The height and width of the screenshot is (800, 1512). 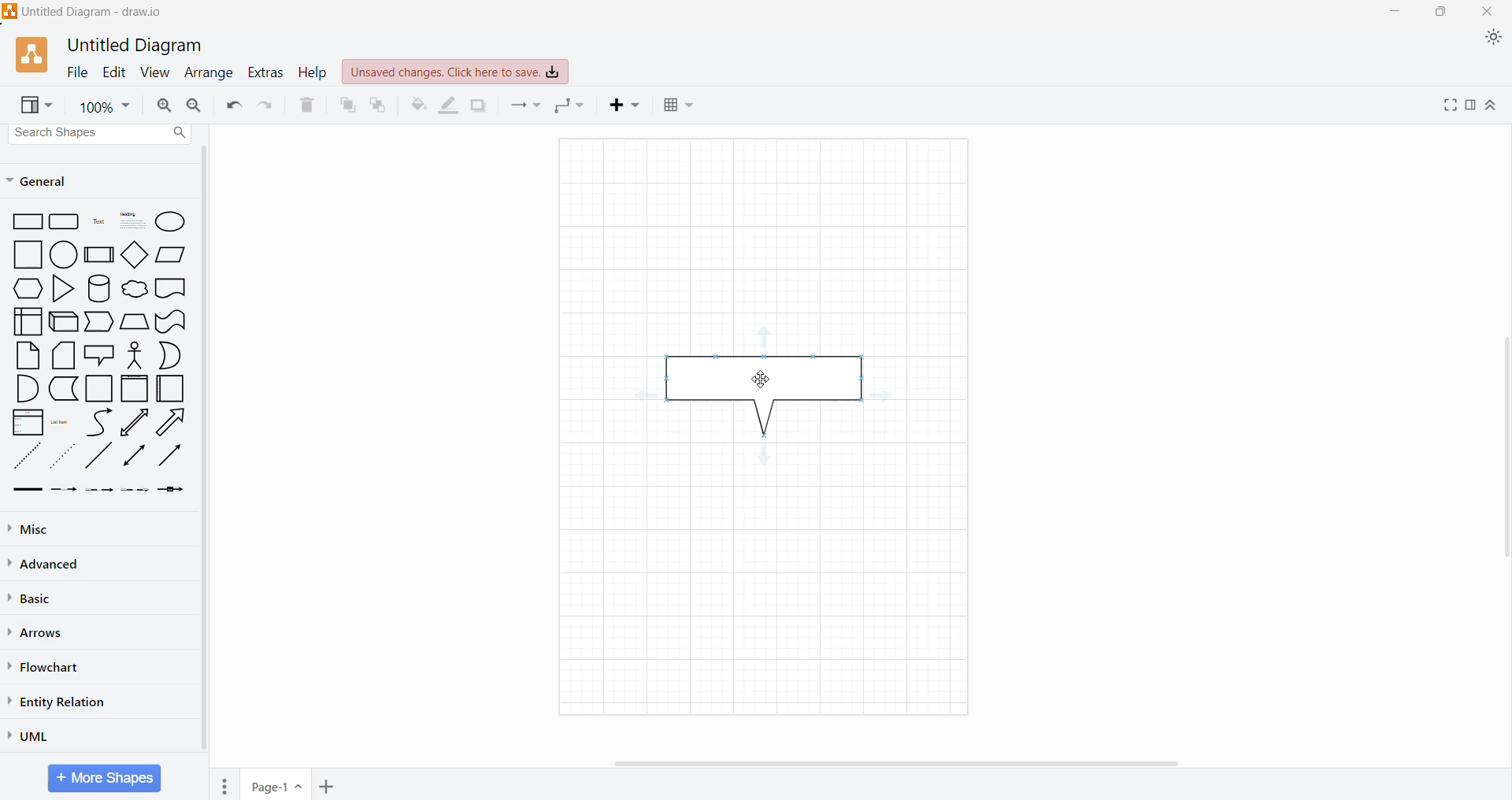 What do you see at coordinates (24, 223) in the screenshot?
I see `rectangle` at bounding box center [24, 223].